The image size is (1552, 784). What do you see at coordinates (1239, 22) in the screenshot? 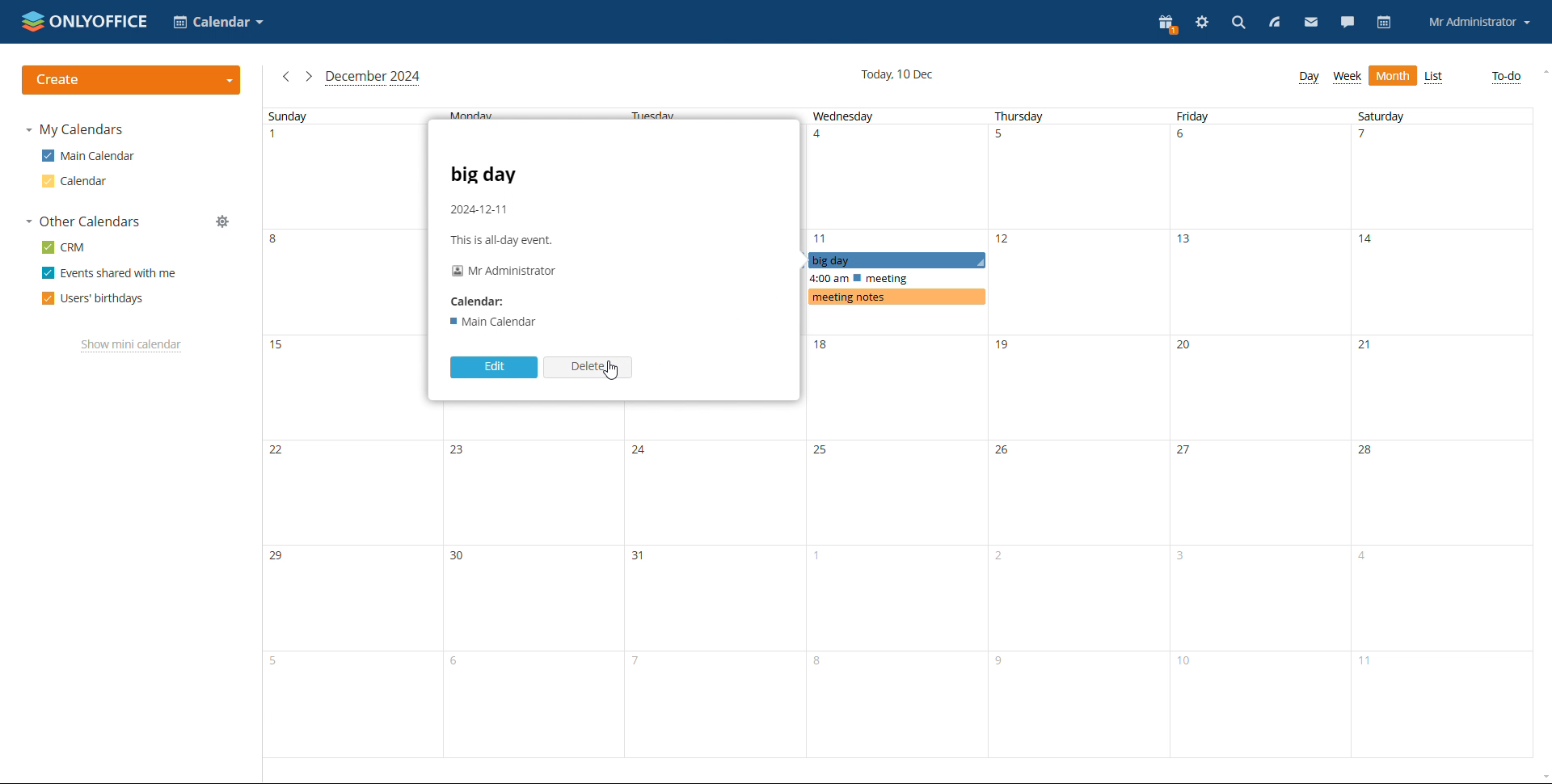
I see `search` at bounding box center [1239, 22].